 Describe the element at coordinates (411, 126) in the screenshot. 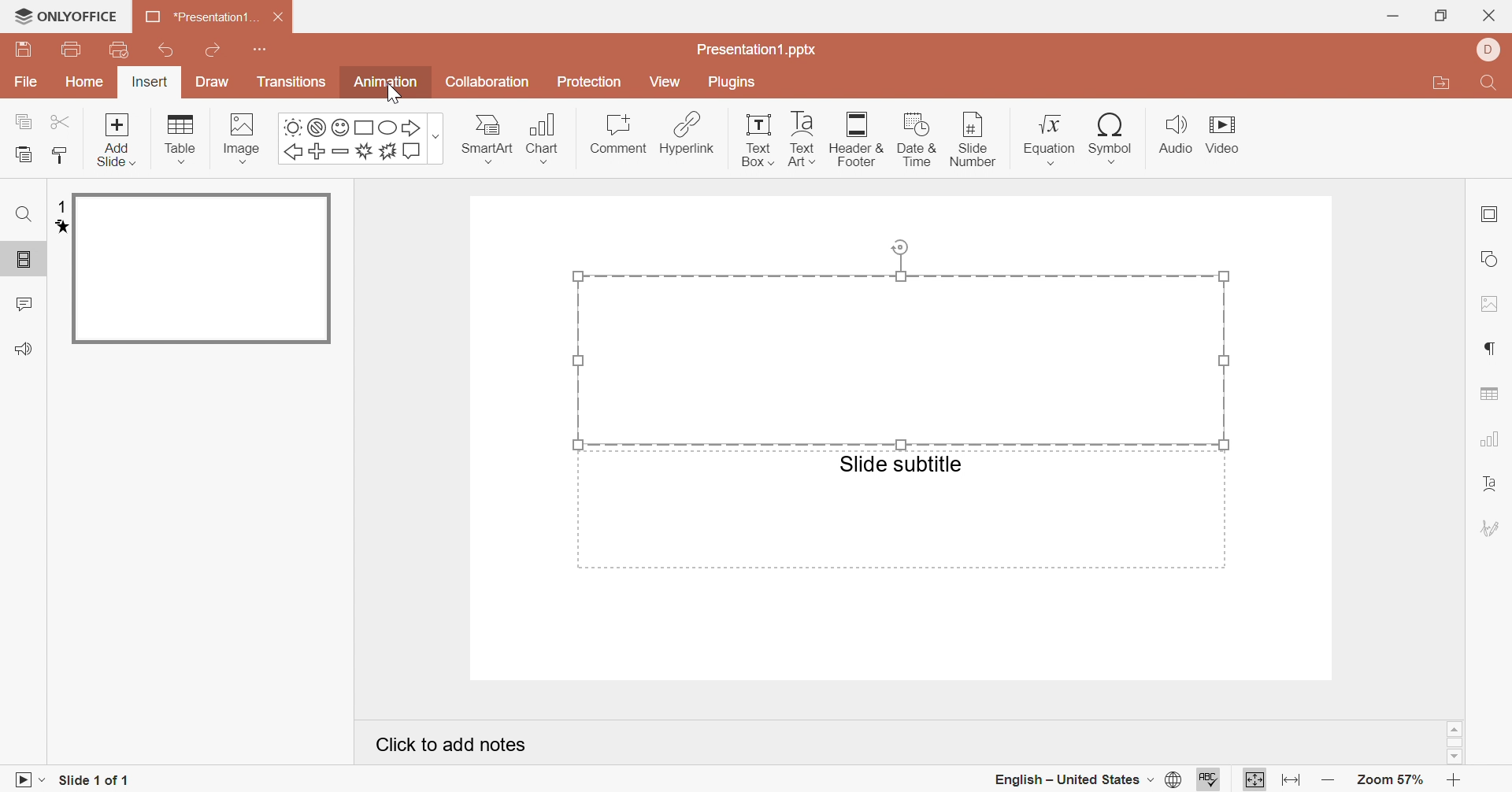

I see `right arrow` at that location.